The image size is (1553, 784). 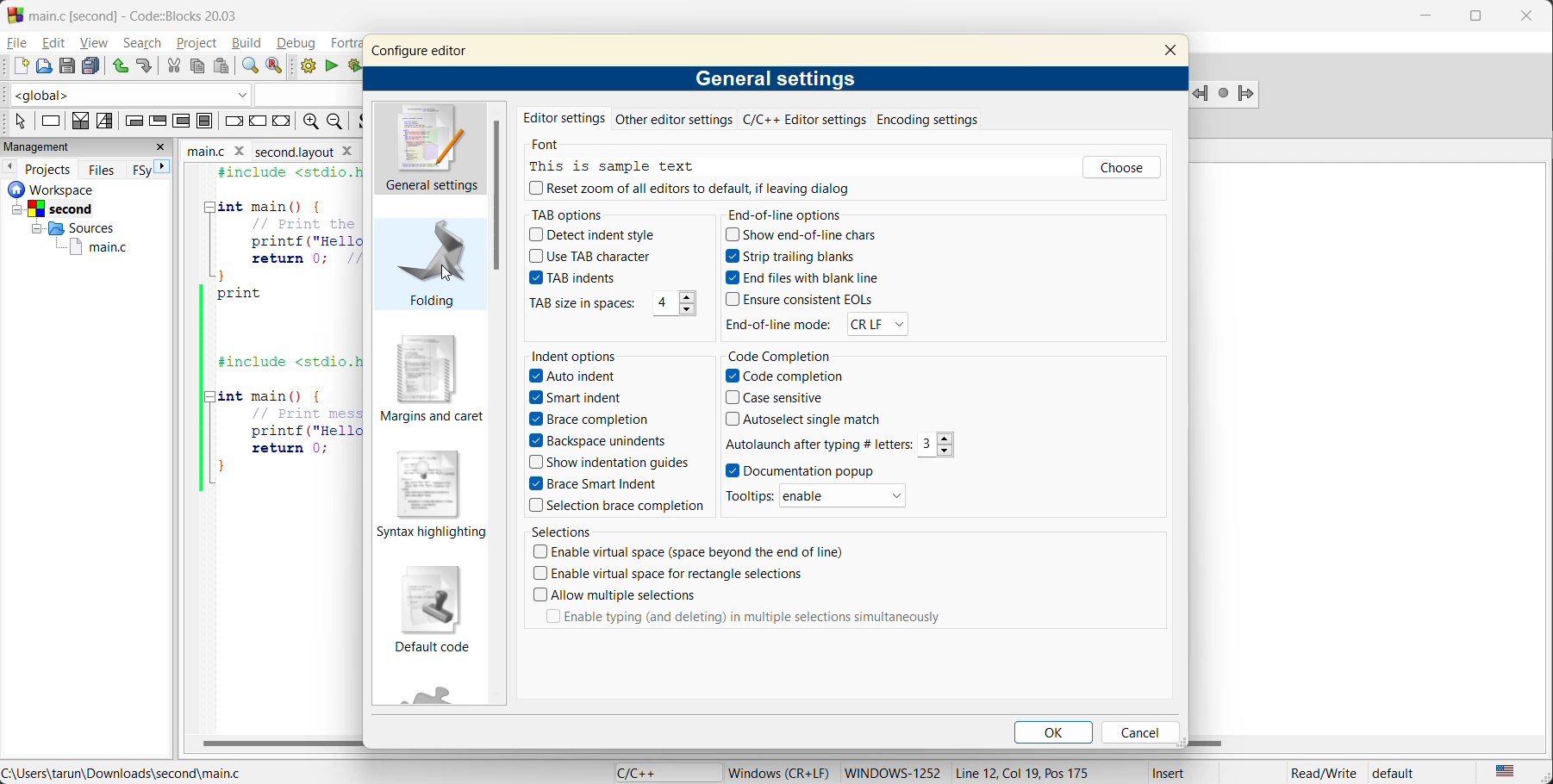 I want to click on Jump backward, so click(x=1201, y=91).